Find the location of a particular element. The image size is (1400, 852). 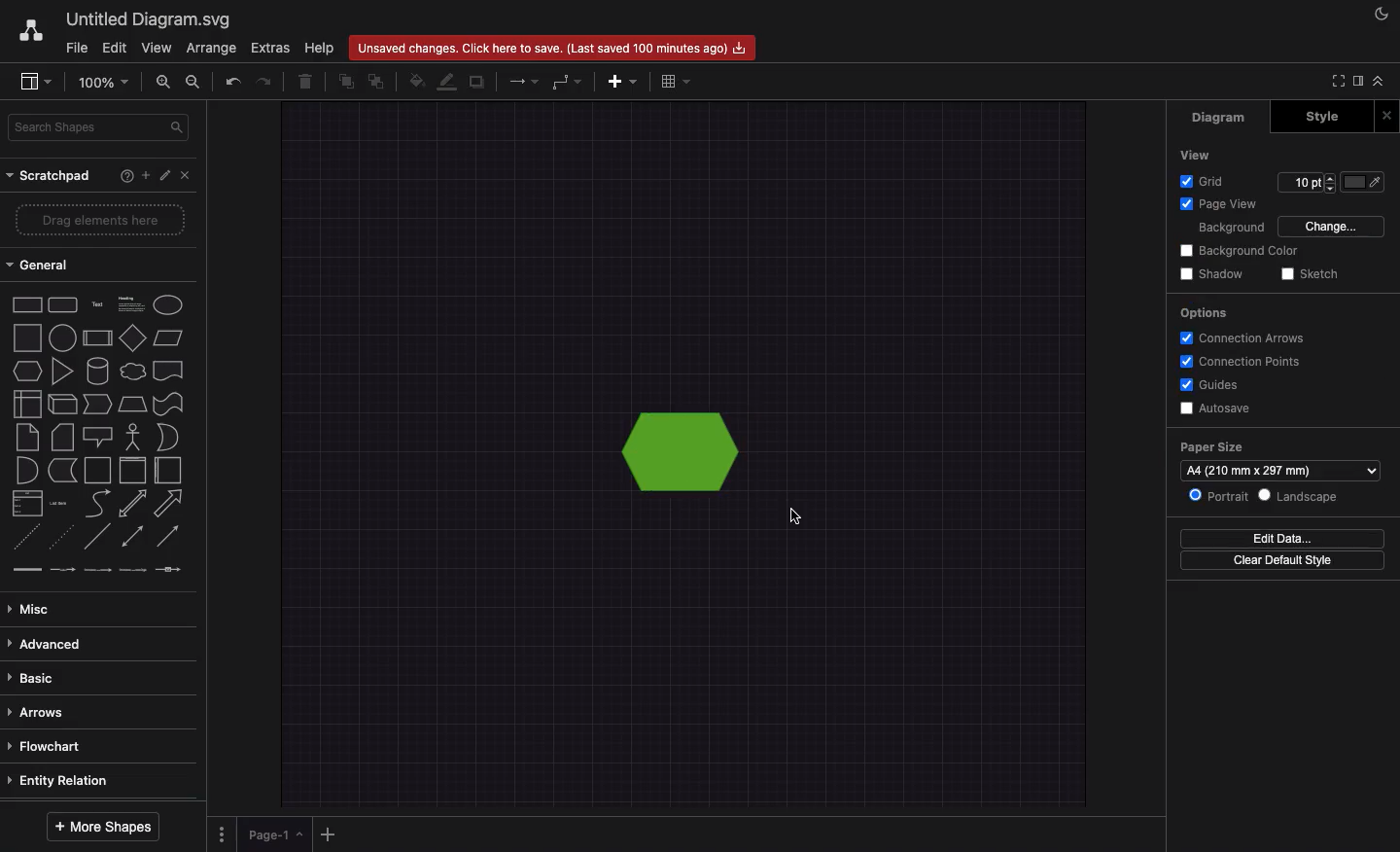

Shapes is located at coordinates (94, 434).